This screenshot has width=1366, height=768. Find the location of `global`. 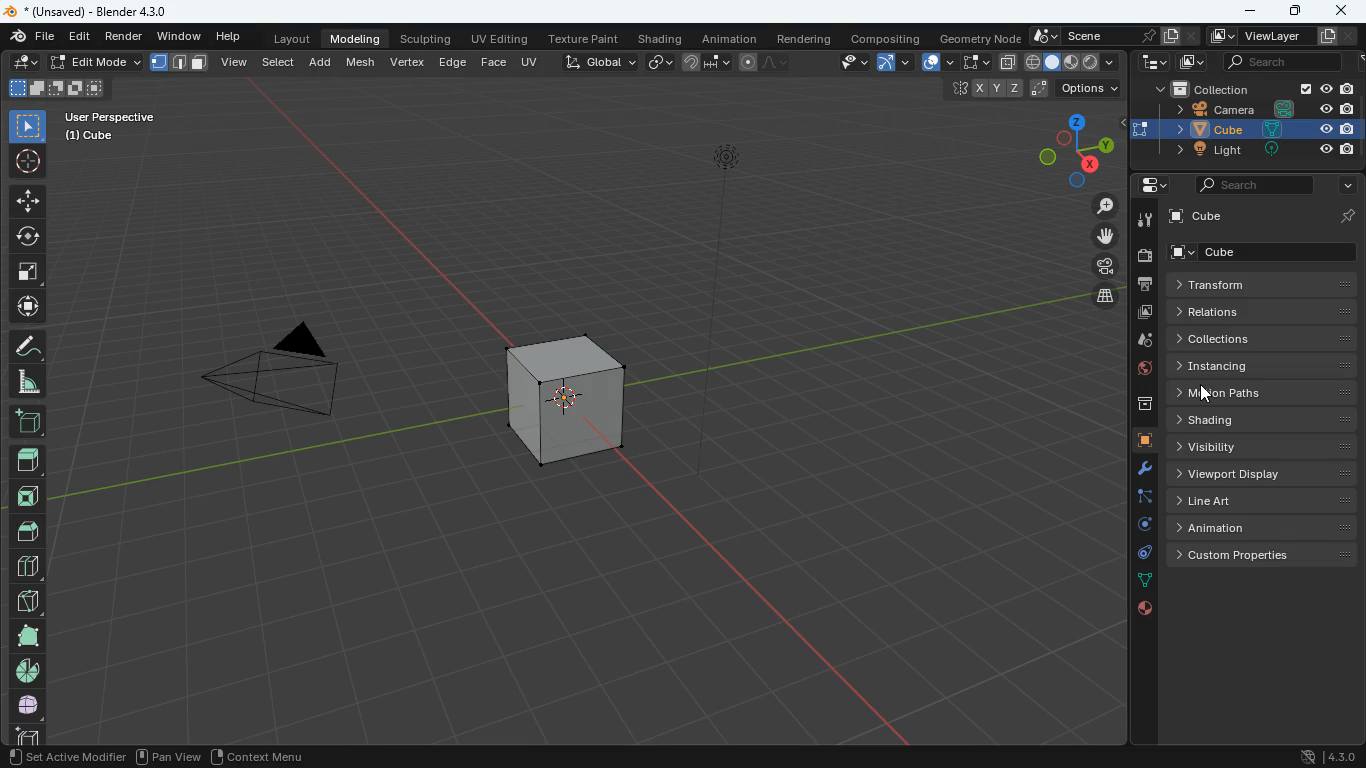

global is located at coordinates (600, 61).